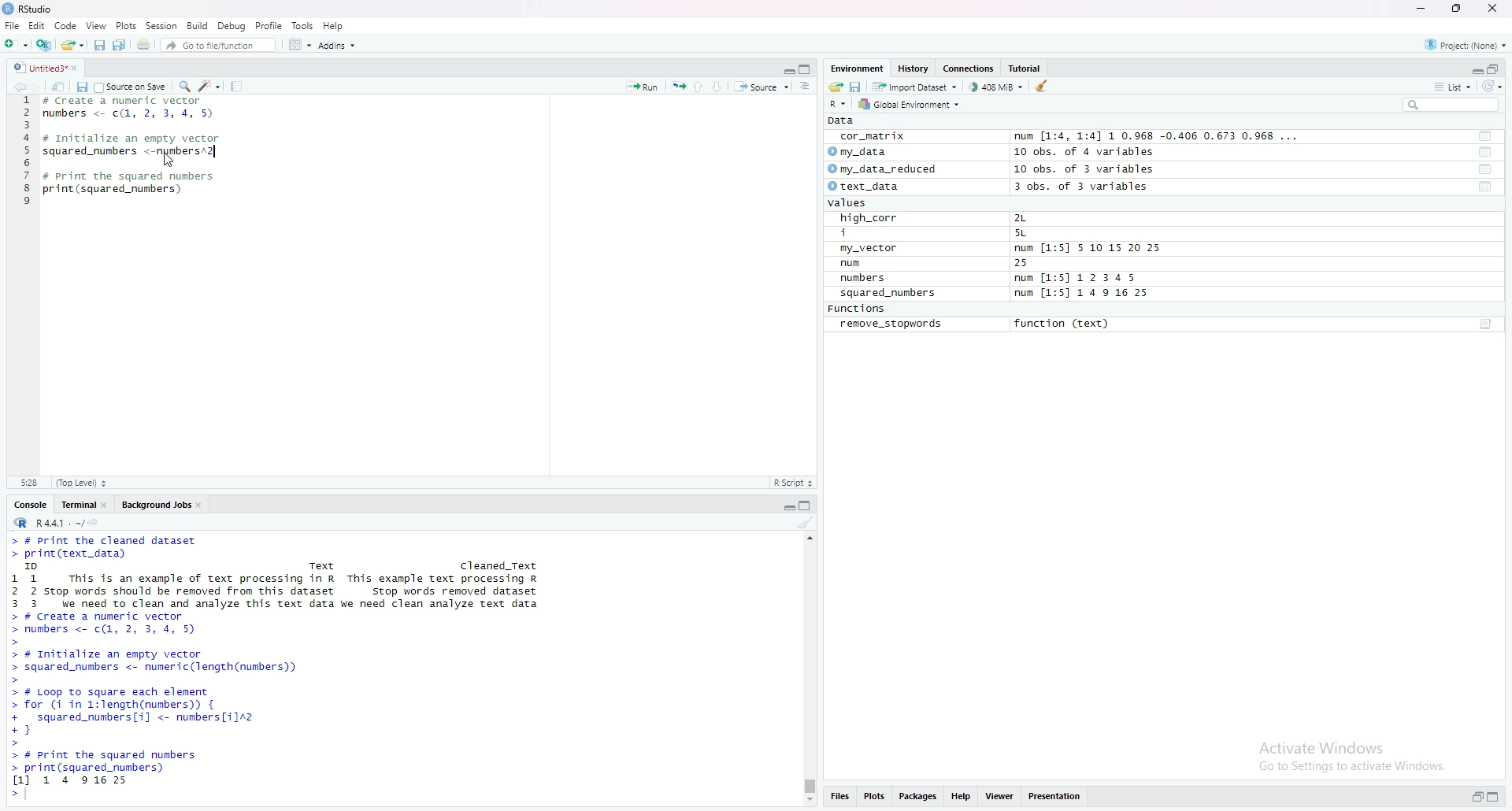 The height and width of the screenshot is (811, 1512). I want to click on Viewer, so click(1000, 798).